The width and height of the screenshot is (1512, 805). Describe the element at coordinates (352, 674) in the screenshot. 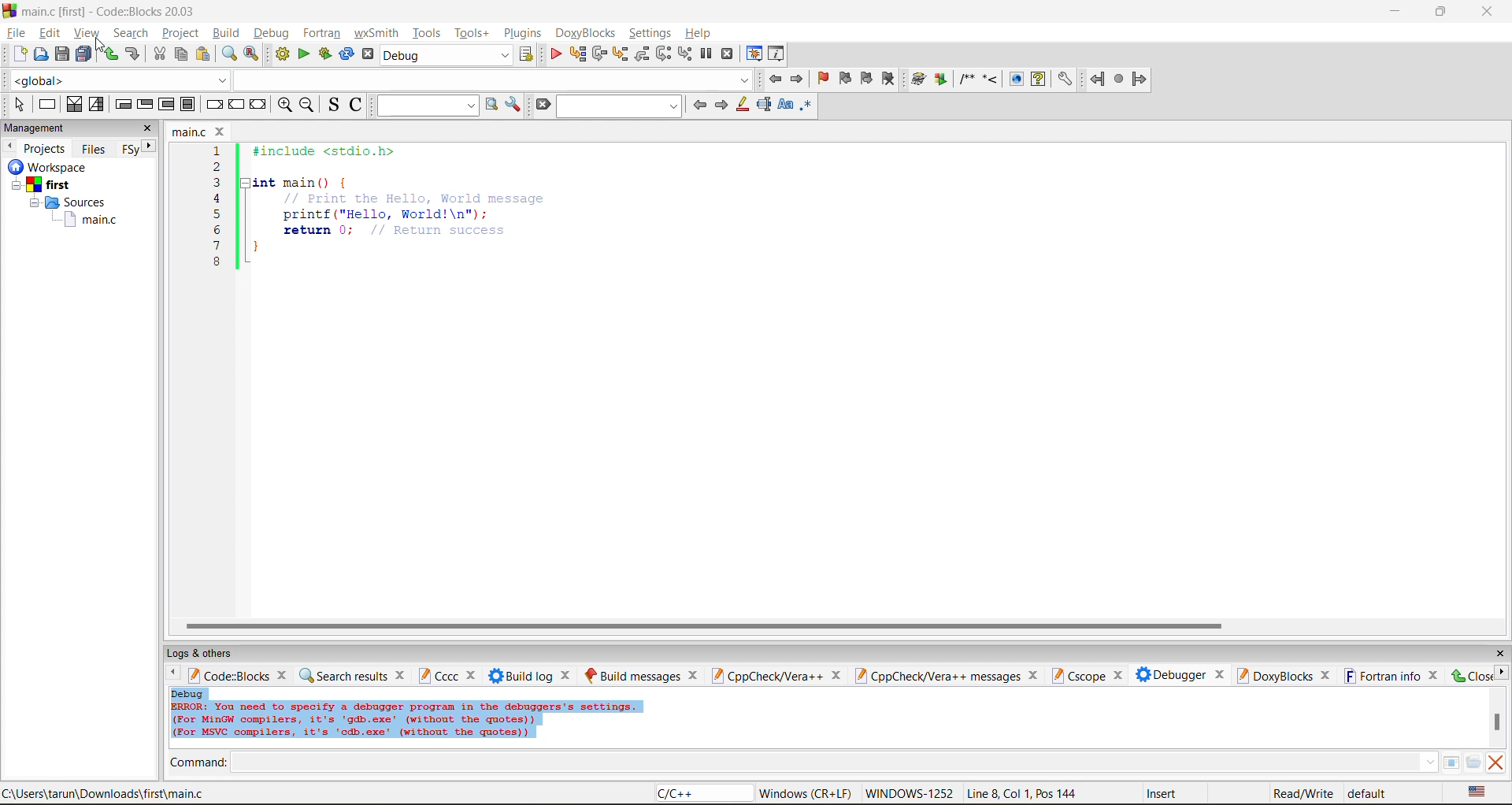

I see `search results` at that location.